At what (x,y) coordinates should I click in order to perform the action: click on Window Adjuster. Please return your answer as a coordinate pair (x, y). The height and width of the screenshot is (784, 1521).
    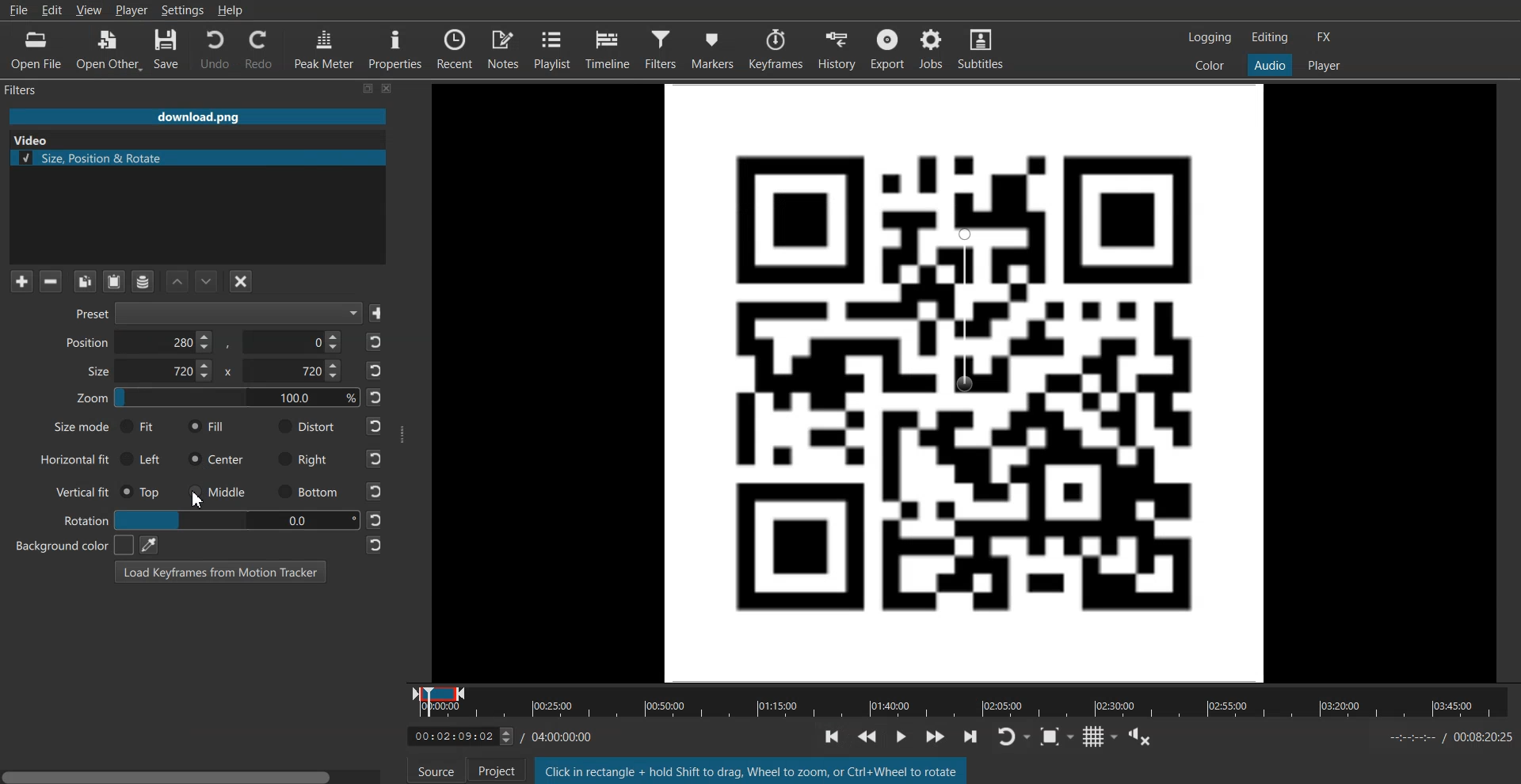
    Looking at the image, I should click on (402, 433).